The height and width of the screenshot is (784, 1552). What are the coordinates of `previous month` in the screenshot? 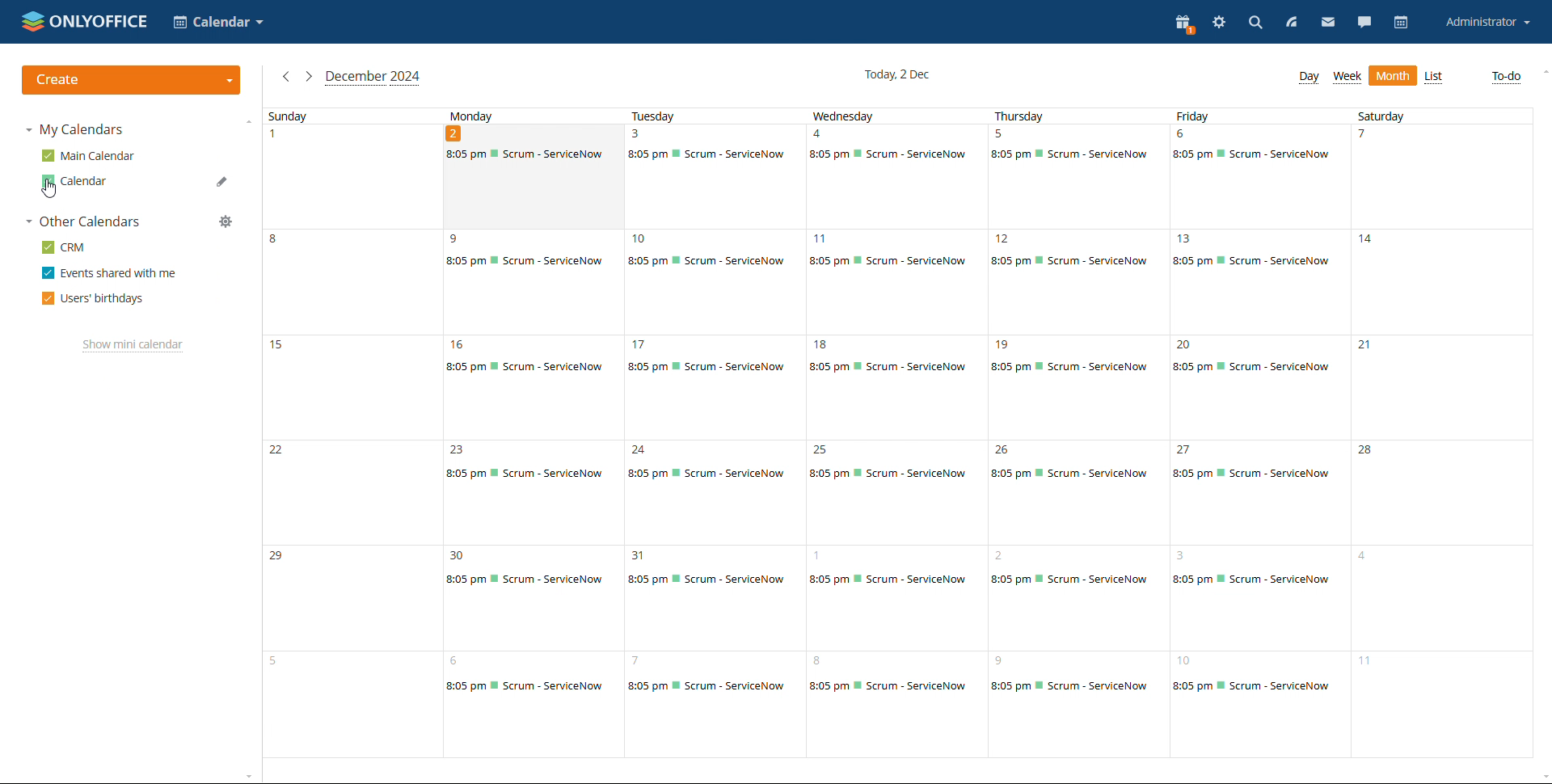 It's located at (286, 77).